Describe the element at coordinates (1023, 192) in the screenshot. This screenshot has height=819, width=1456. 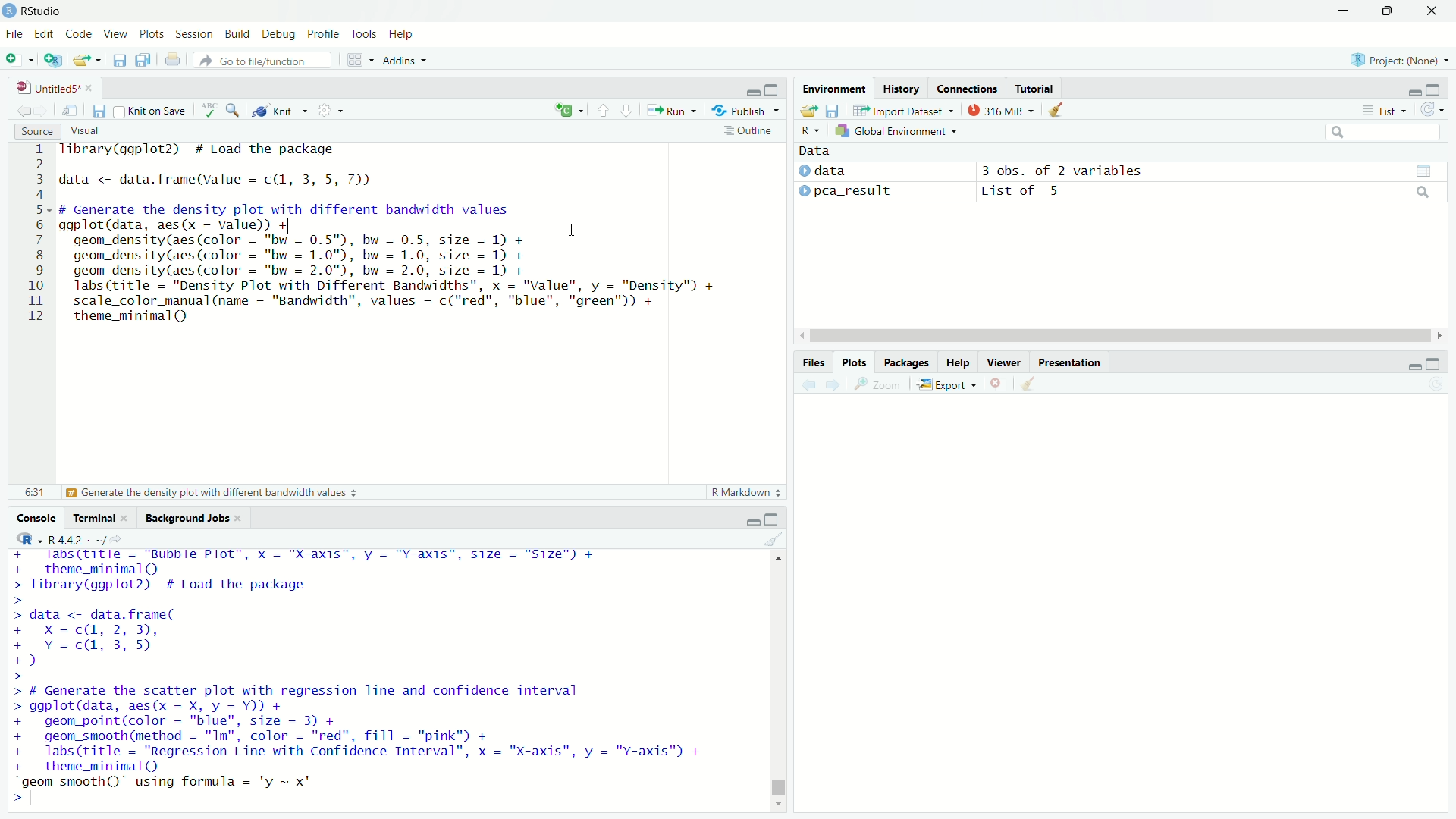
I see `List of 5` at that location.